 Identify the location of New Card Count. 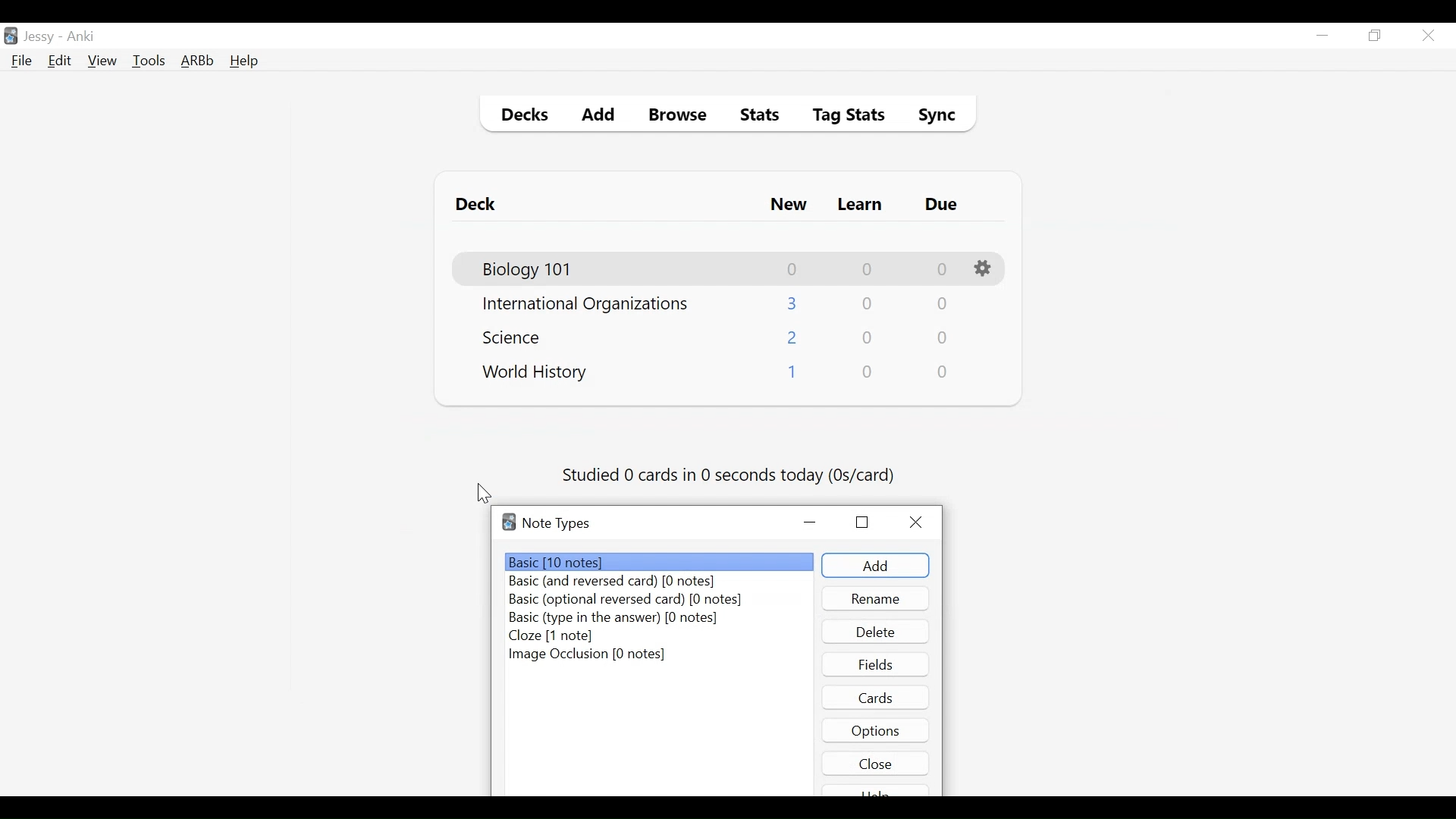
(791, 375).